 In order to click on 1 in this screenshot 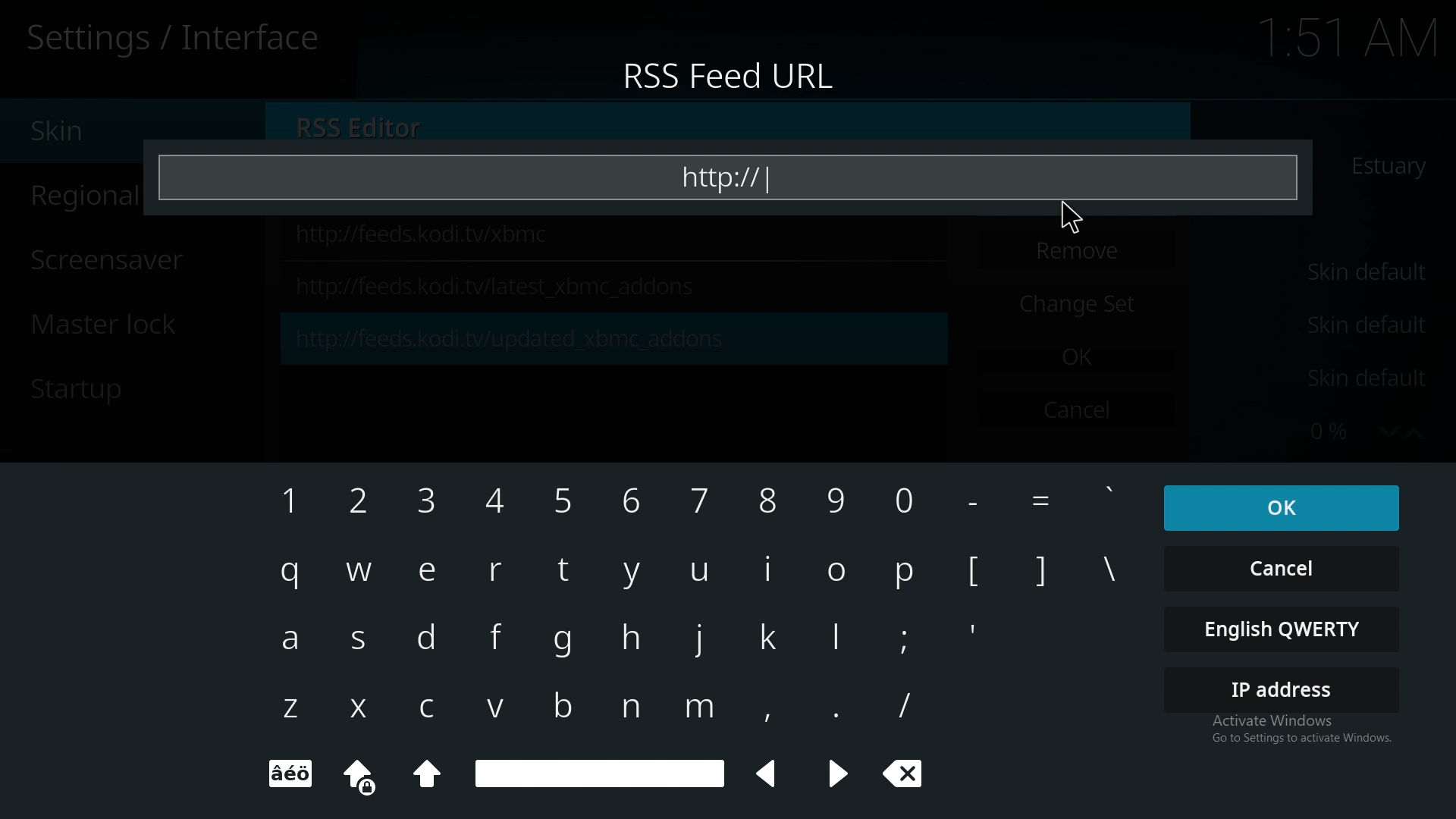, I will do `click(288, 507)`.